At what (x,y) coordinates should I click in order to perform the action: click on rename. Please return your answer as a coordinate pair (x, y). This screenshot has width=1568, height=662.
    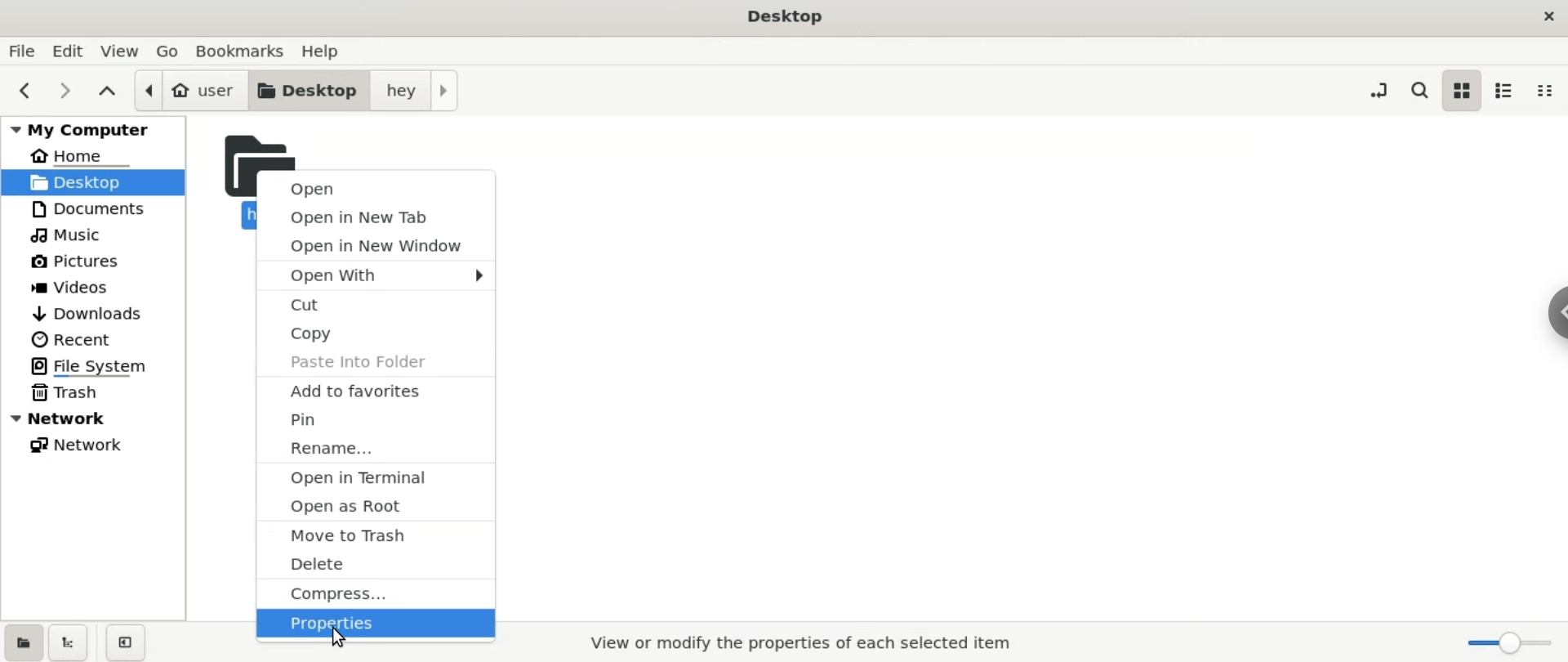
    Looking at the image, I should click on (374, 450).